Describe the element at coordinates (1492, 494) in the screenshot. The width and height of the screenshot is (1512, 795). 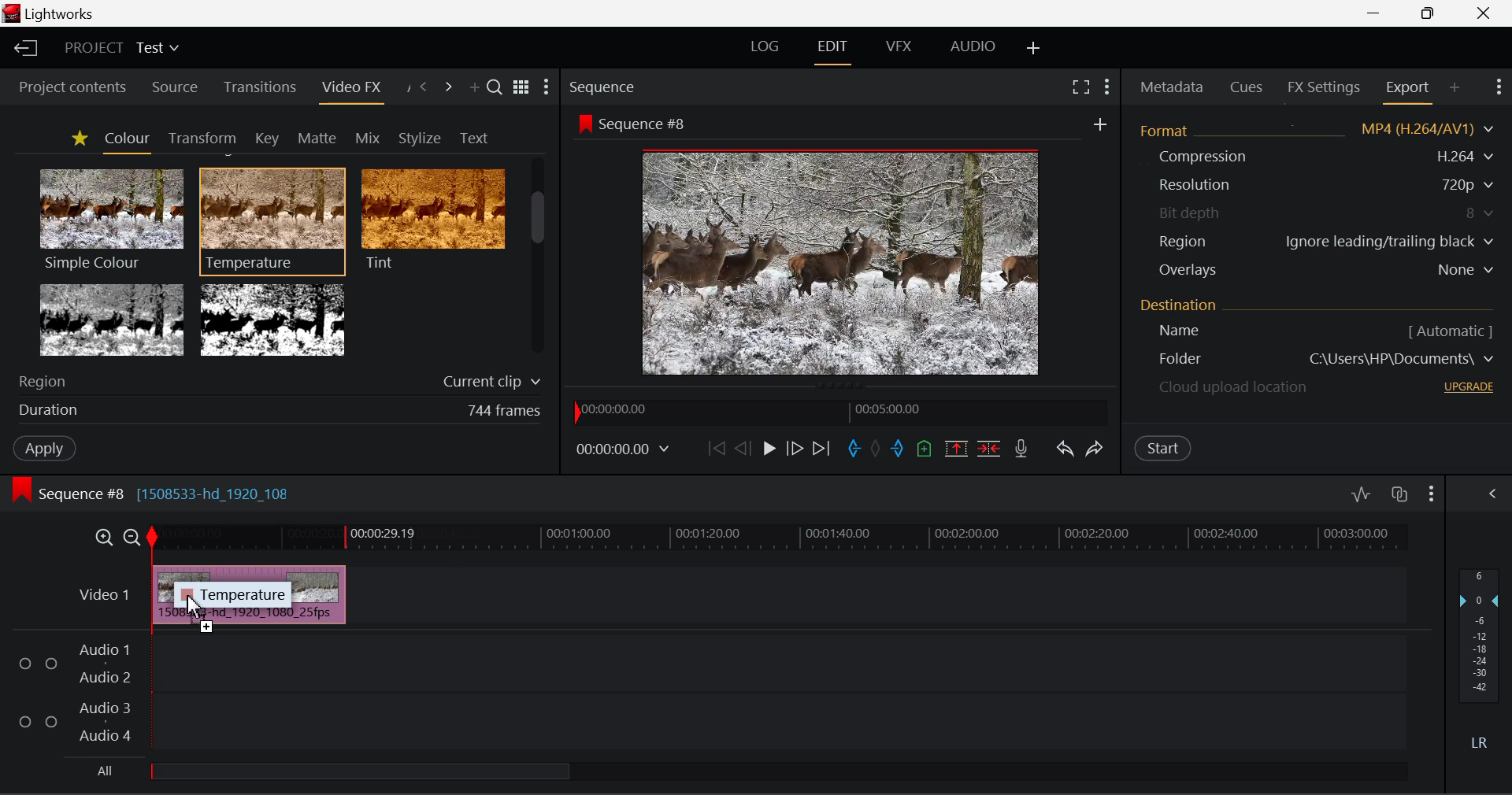
I see `Show Settings` at that location.